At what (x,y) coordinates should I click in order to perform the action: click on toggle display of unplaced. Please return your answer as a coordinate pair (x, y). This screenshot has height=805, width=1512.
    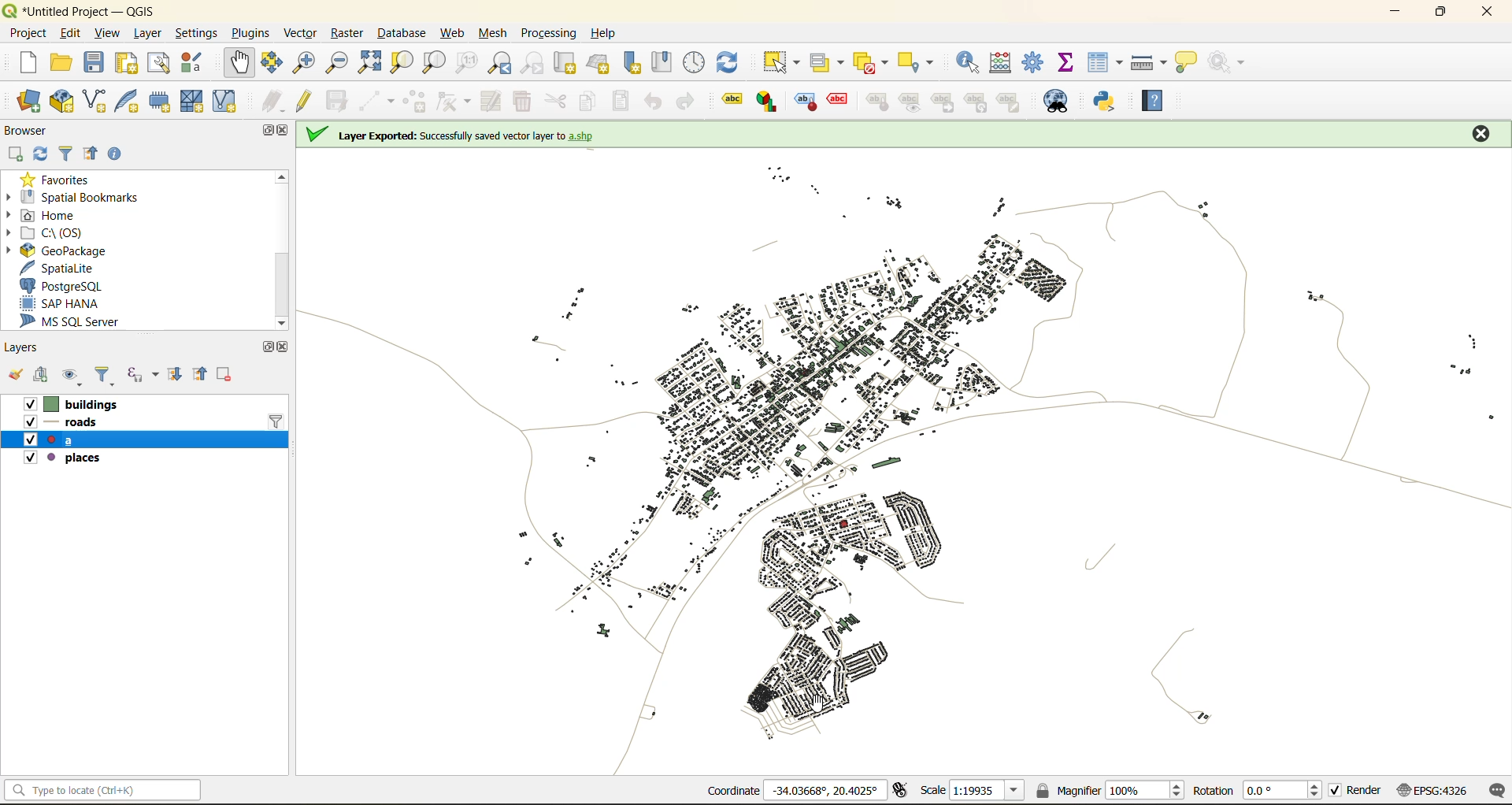
    Looking at the image, I should click on (839, 102).